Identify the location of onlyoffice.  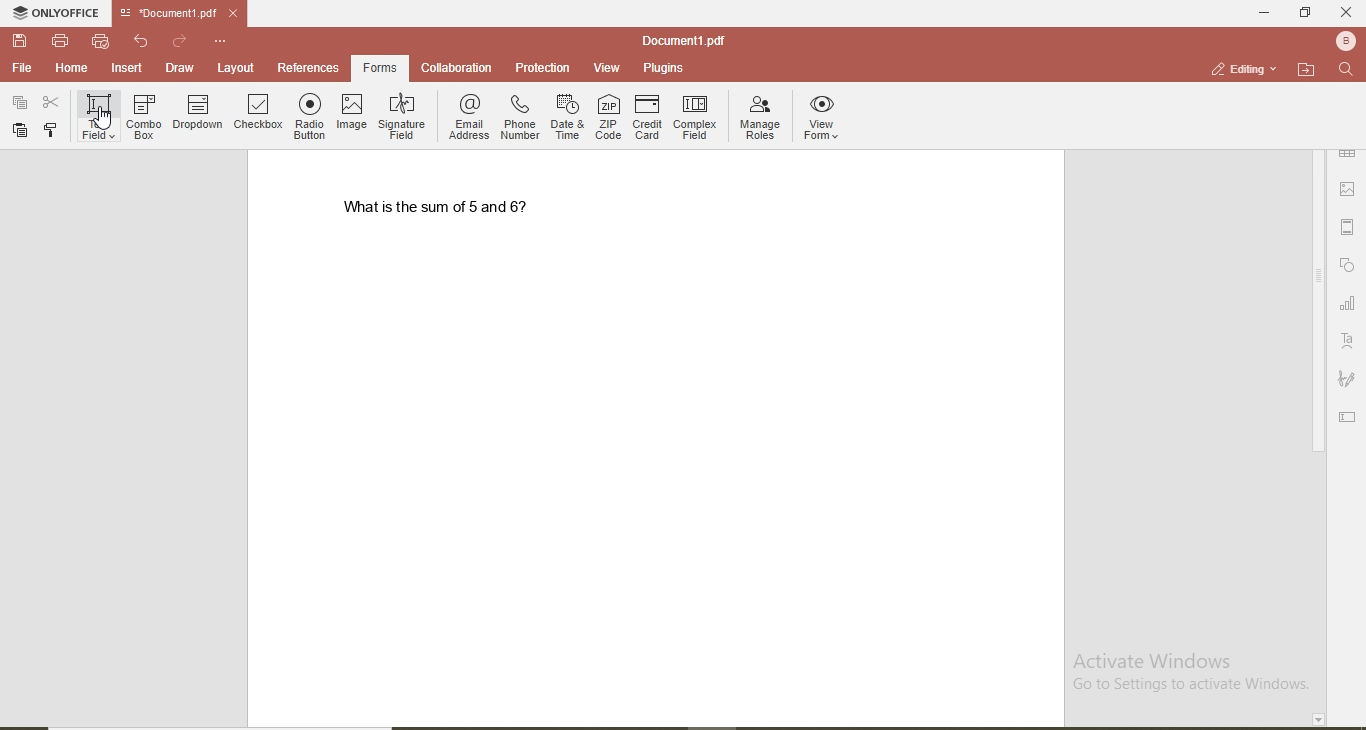
(51, 12).